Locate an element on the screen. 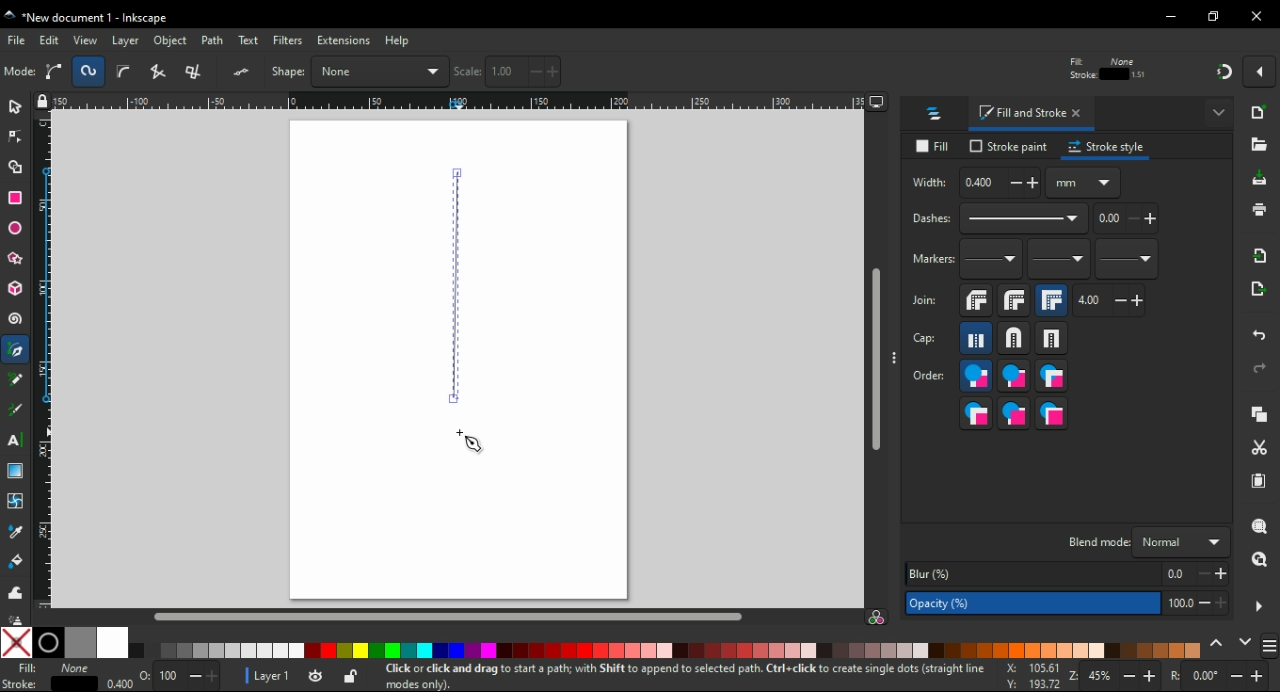  text is located at coordinates (250, 41).